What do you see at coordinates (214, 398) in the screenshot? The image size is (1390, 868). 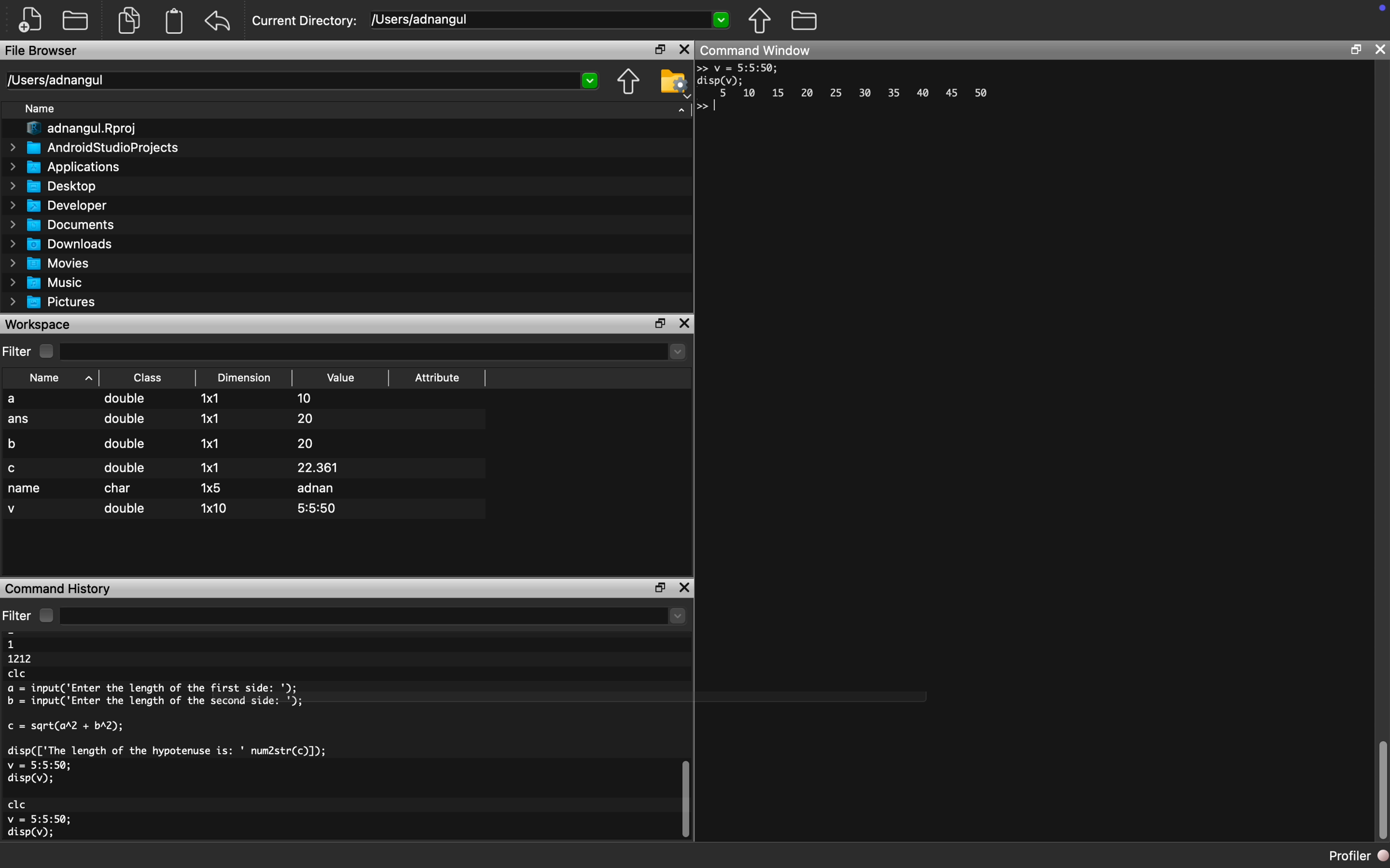 I see `1x1` at bounding box center [214, 398].